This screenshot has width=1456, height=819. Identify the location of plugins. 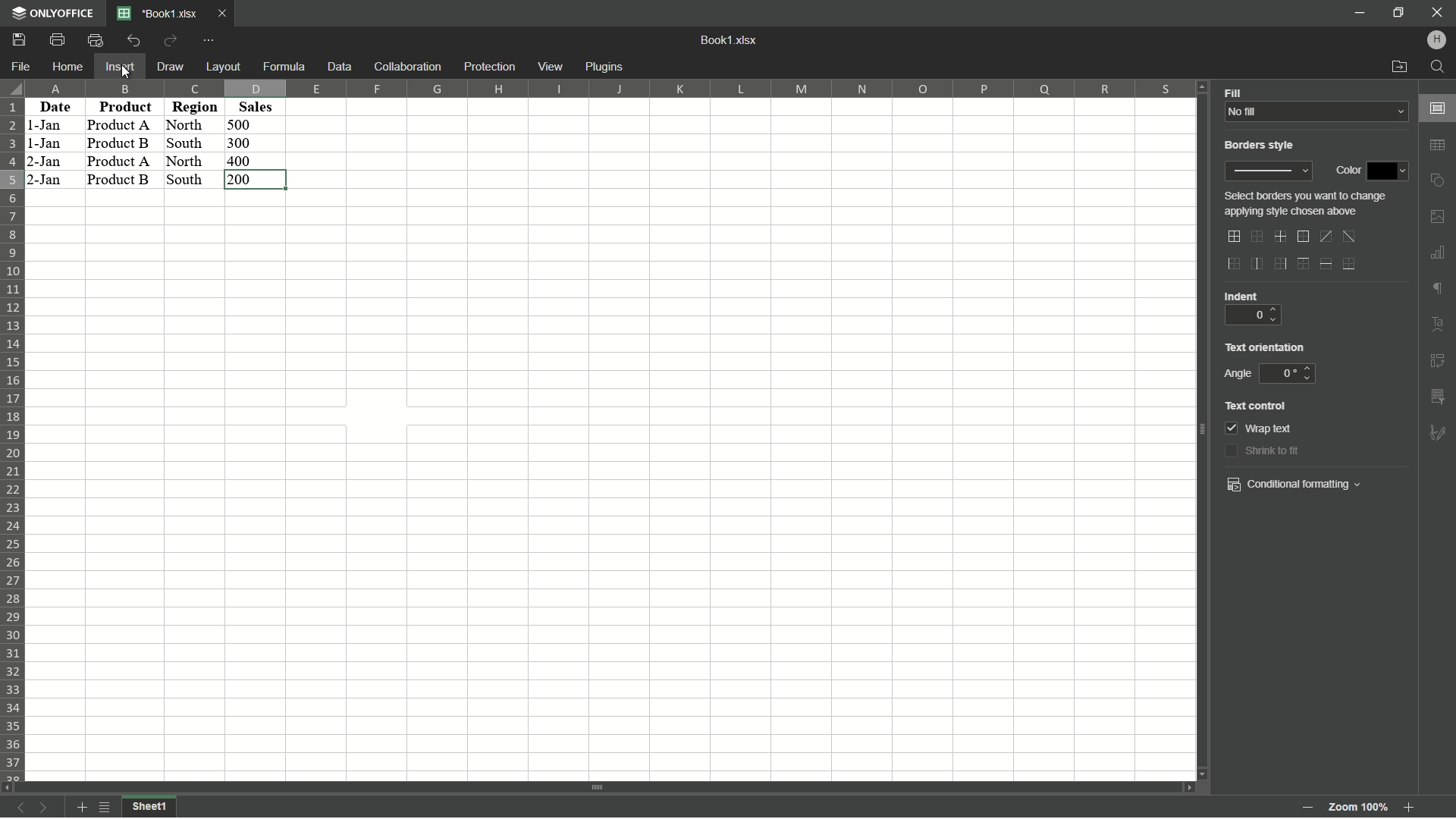
(604, 67).